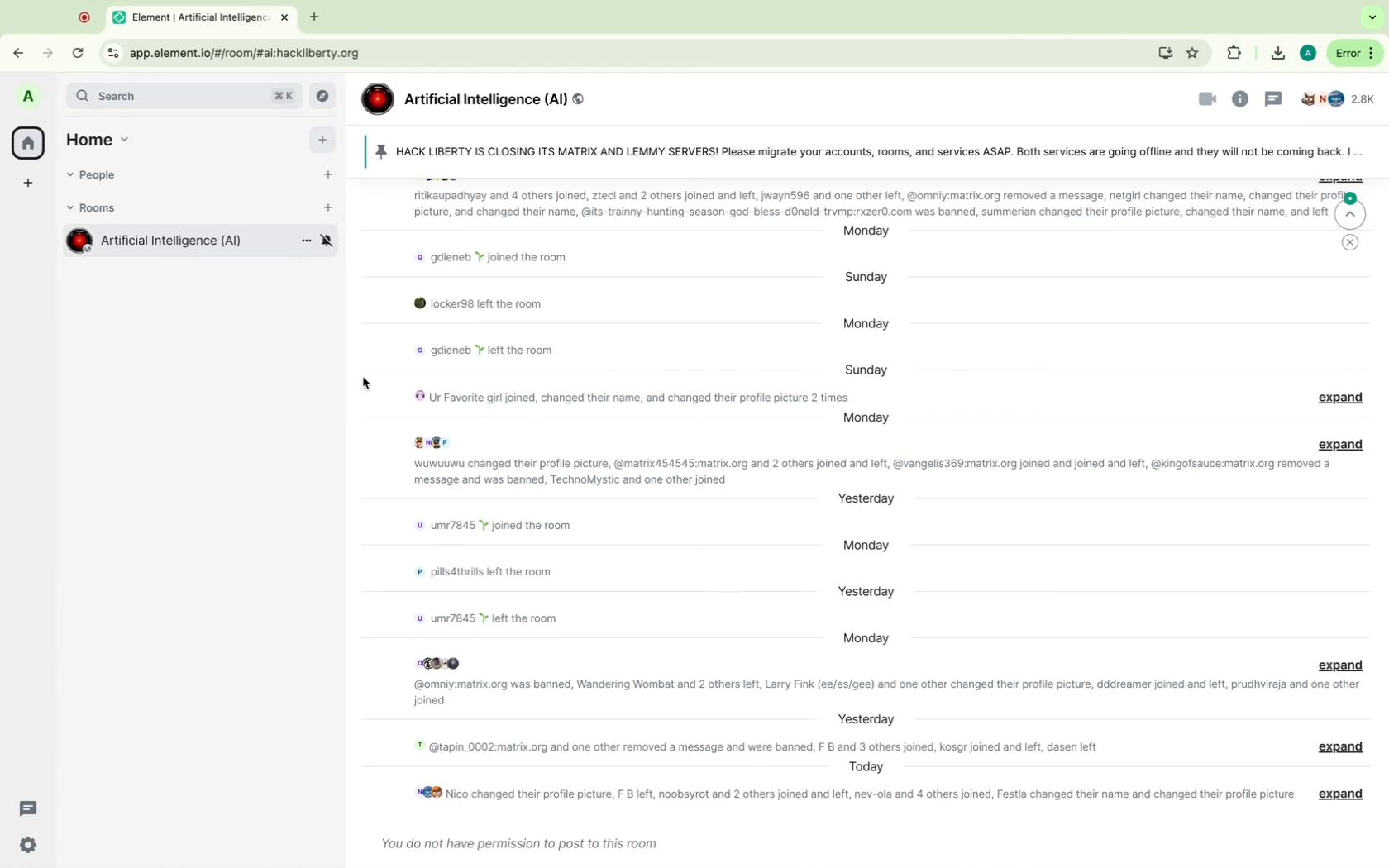  I want to click on expand, so click(1338, 443).